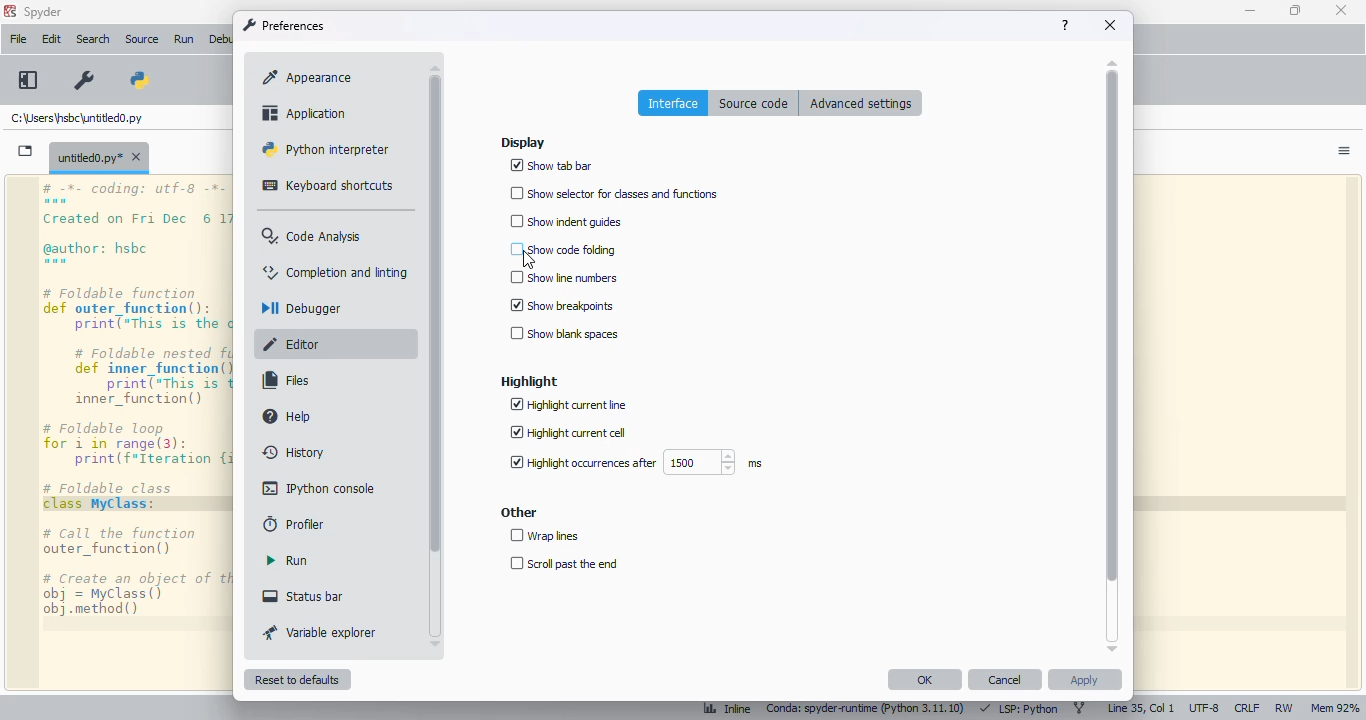 The image size is (1366, 720). Describe the element at coordinates (78, 119) in the screenshot. I see `untitled0.py` at that location.